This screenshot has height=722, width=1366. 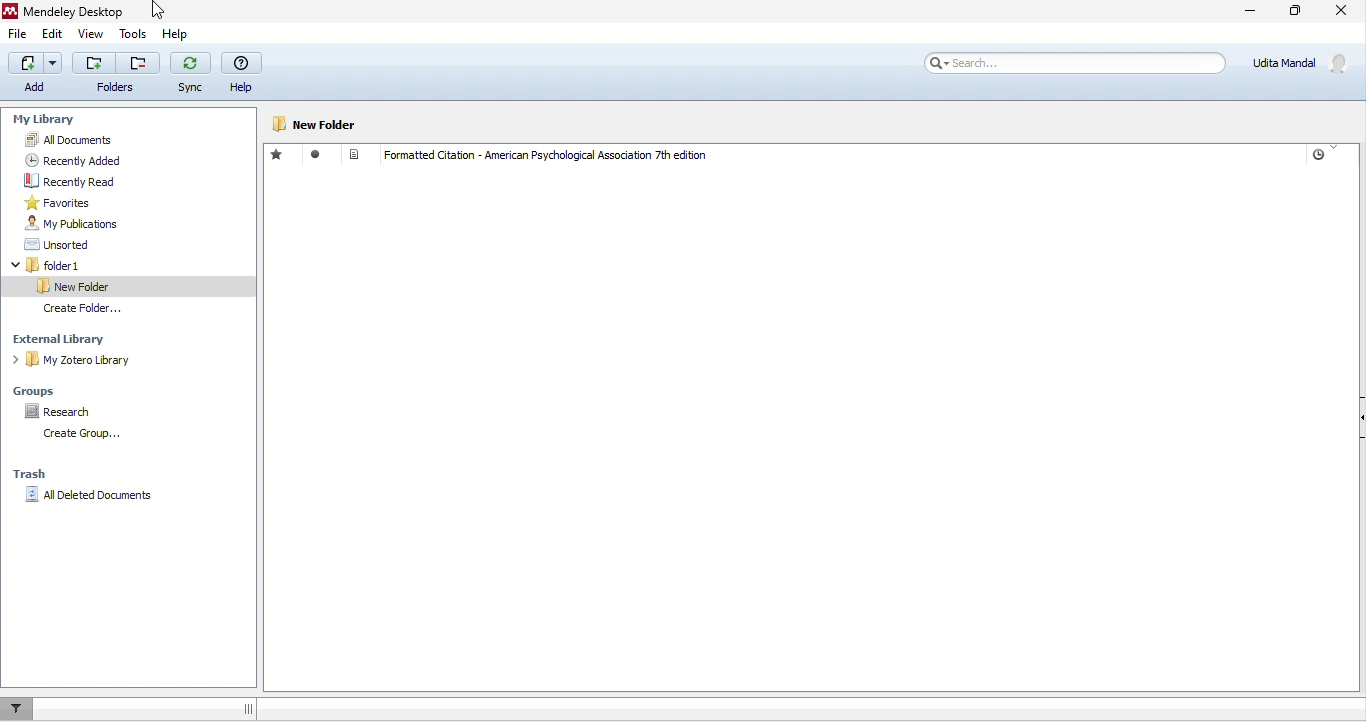 I want to click on tools, so click(x=133, y=32).